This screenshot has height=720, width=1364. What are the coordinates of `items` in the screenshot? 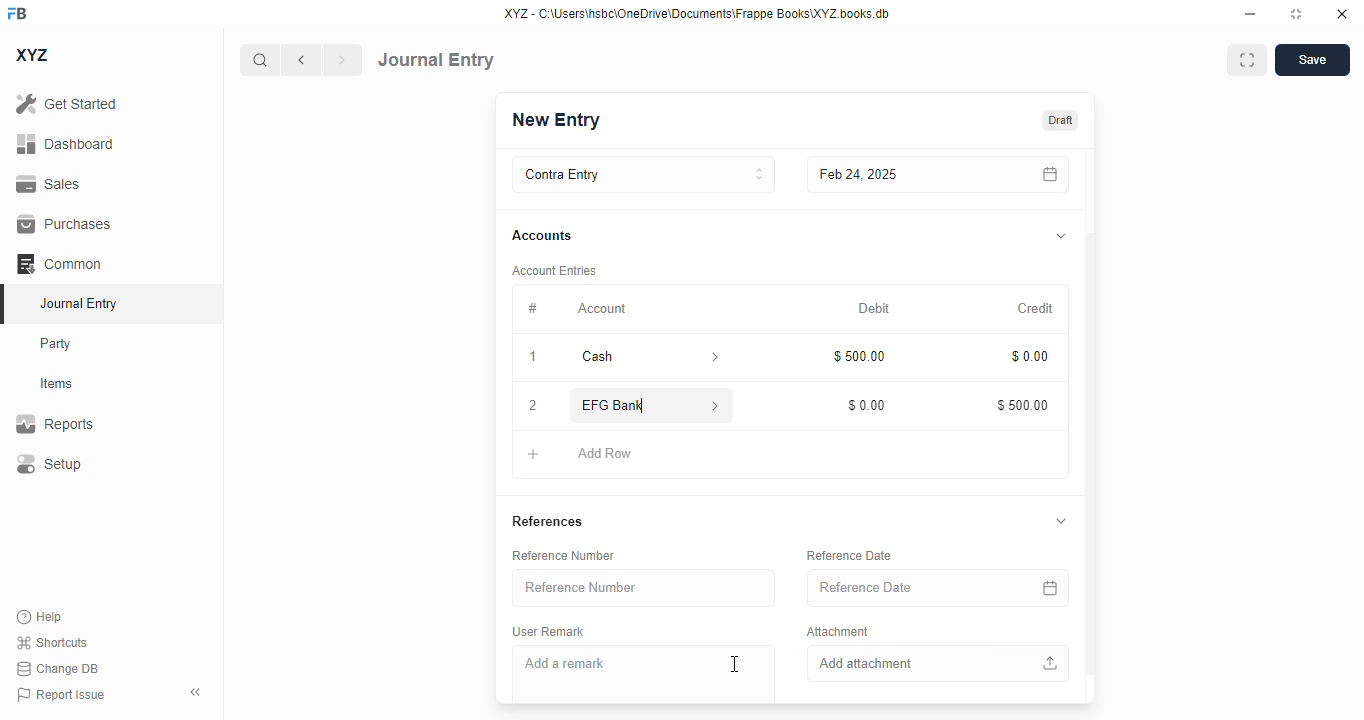 It's located at (57, 384).